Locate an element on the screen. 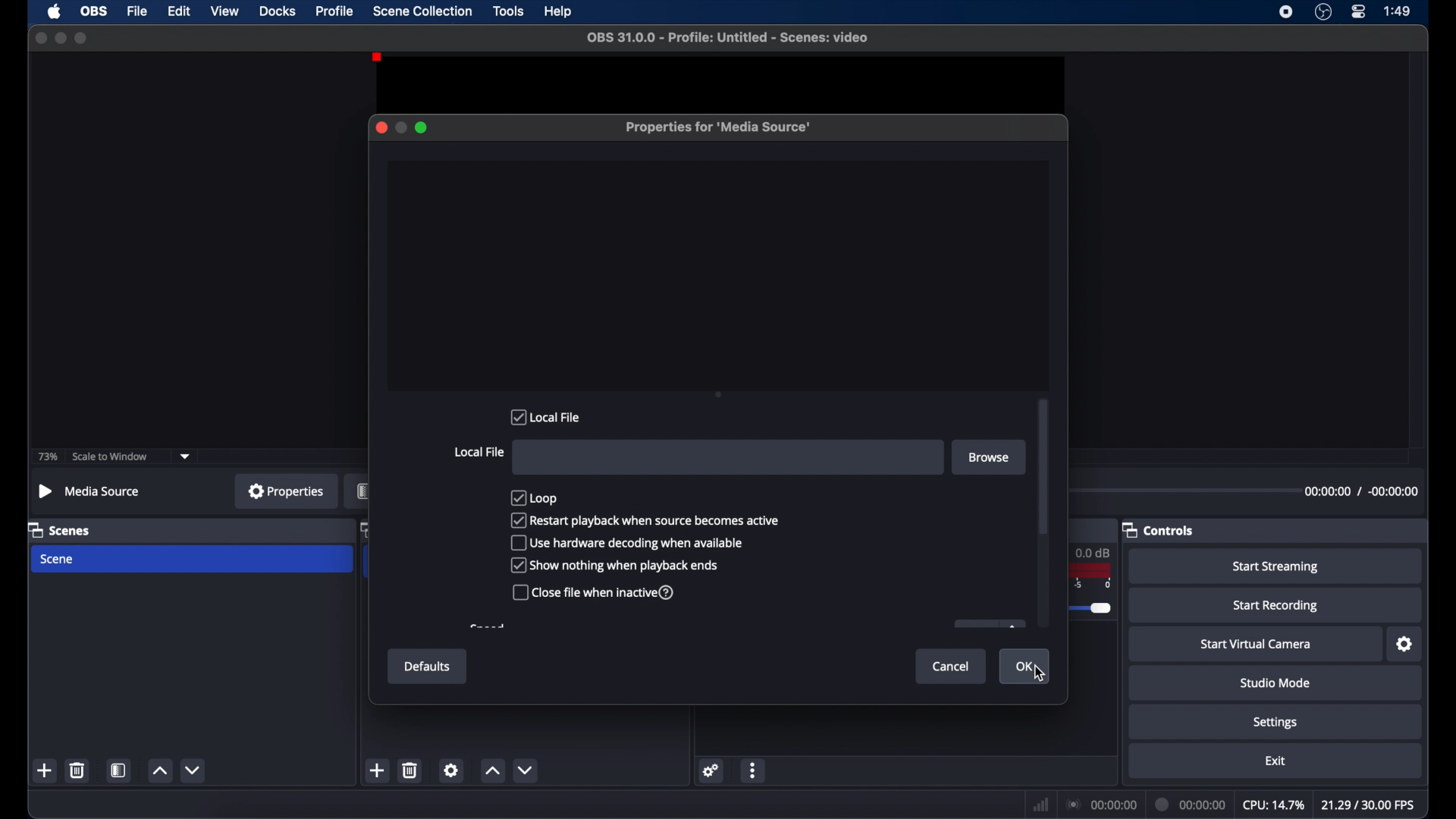 Image resolution: width=1456 pixels, height=819 pixels. checkbox is located at coordinates (645, 521).